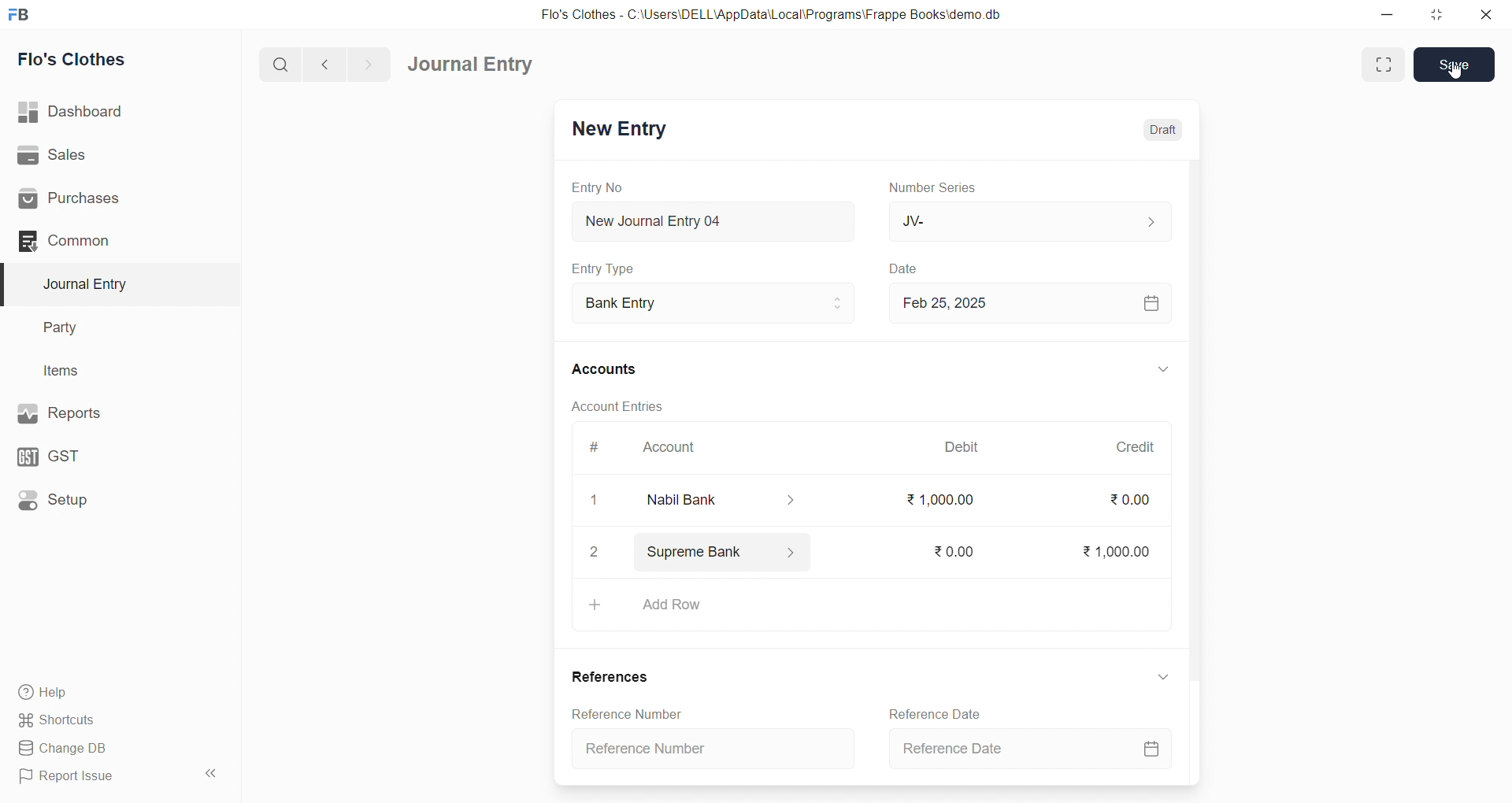  What do you see at coordinates (962, 449) in the screenshot?
I see `Debit` at bounding box center [962, 449].